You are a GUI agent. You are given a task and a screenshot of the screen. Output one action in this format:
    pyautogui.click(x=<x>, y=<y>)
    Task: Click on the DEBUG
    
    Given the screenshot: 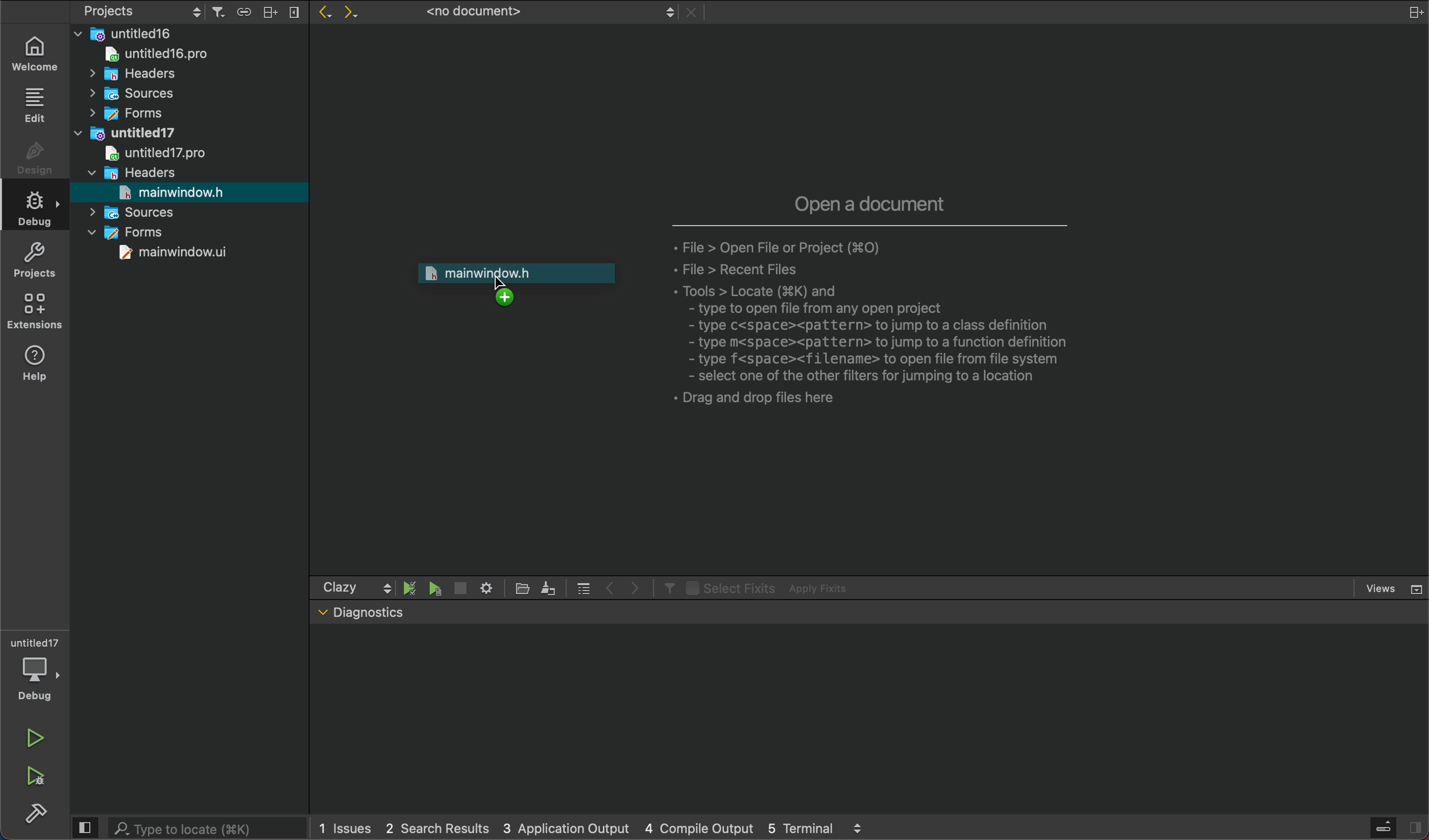 What is the action you would take?
    pyautogui.click(x=39, y=211)
    